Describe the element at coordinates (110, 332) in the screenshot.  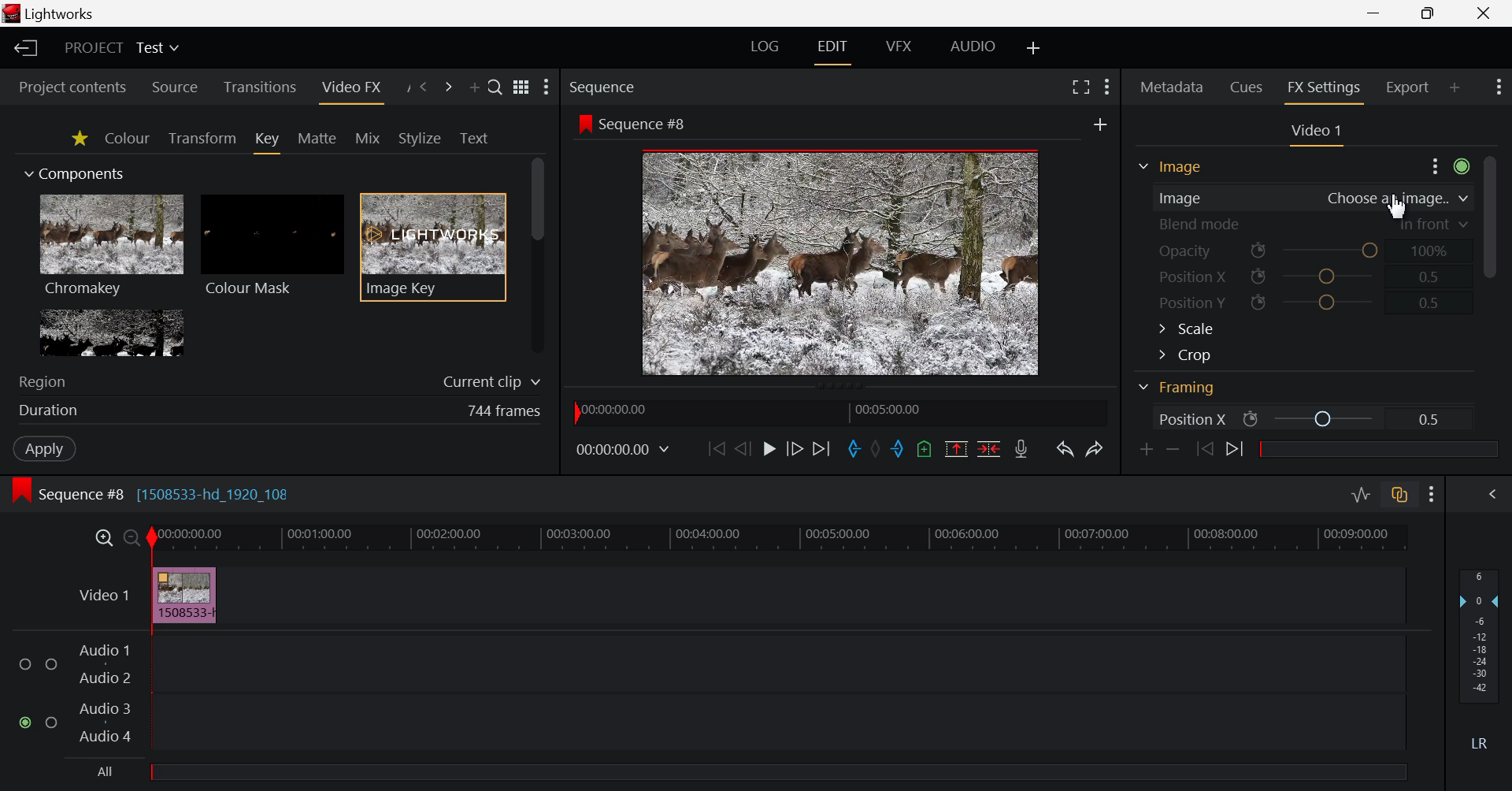
I see `Lumakey` at that location.